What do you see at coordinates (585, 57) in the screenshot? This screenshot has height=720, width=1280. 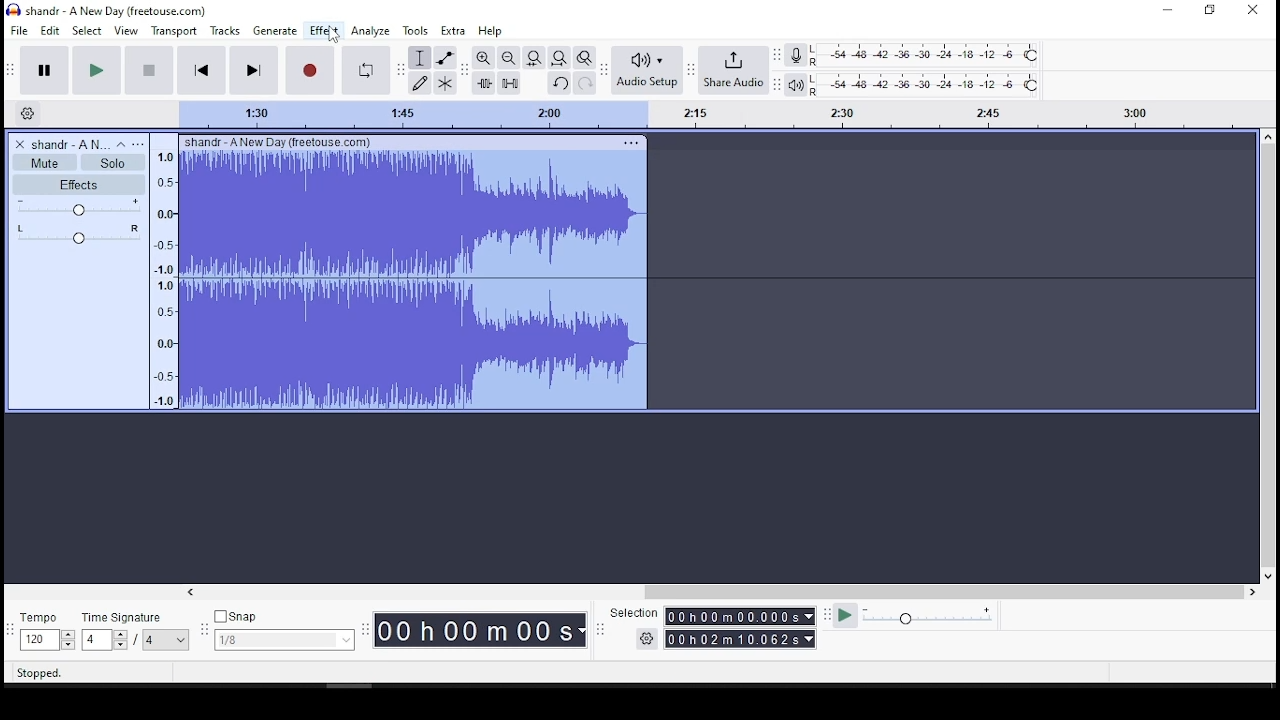 I see `zoom toggle` at bounding box center [585, 57].